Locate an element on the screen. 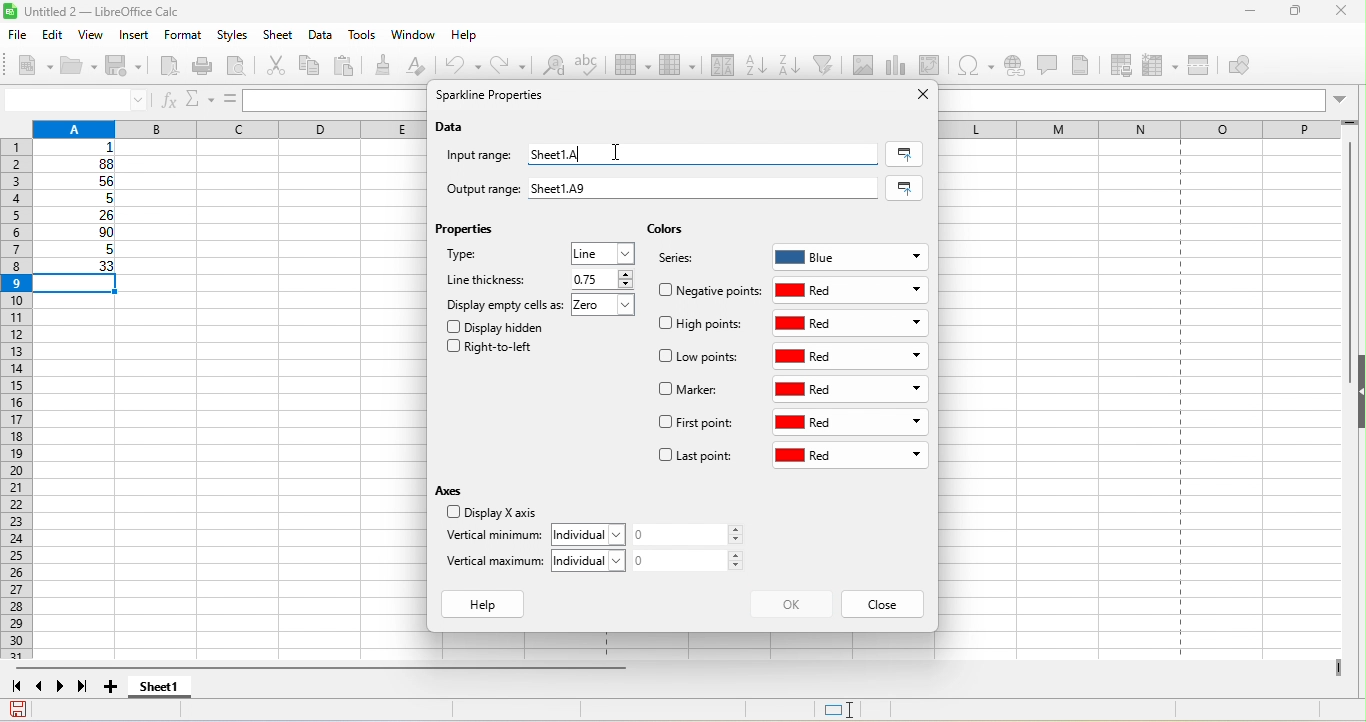  hide is located at coordinates (1357, 393).